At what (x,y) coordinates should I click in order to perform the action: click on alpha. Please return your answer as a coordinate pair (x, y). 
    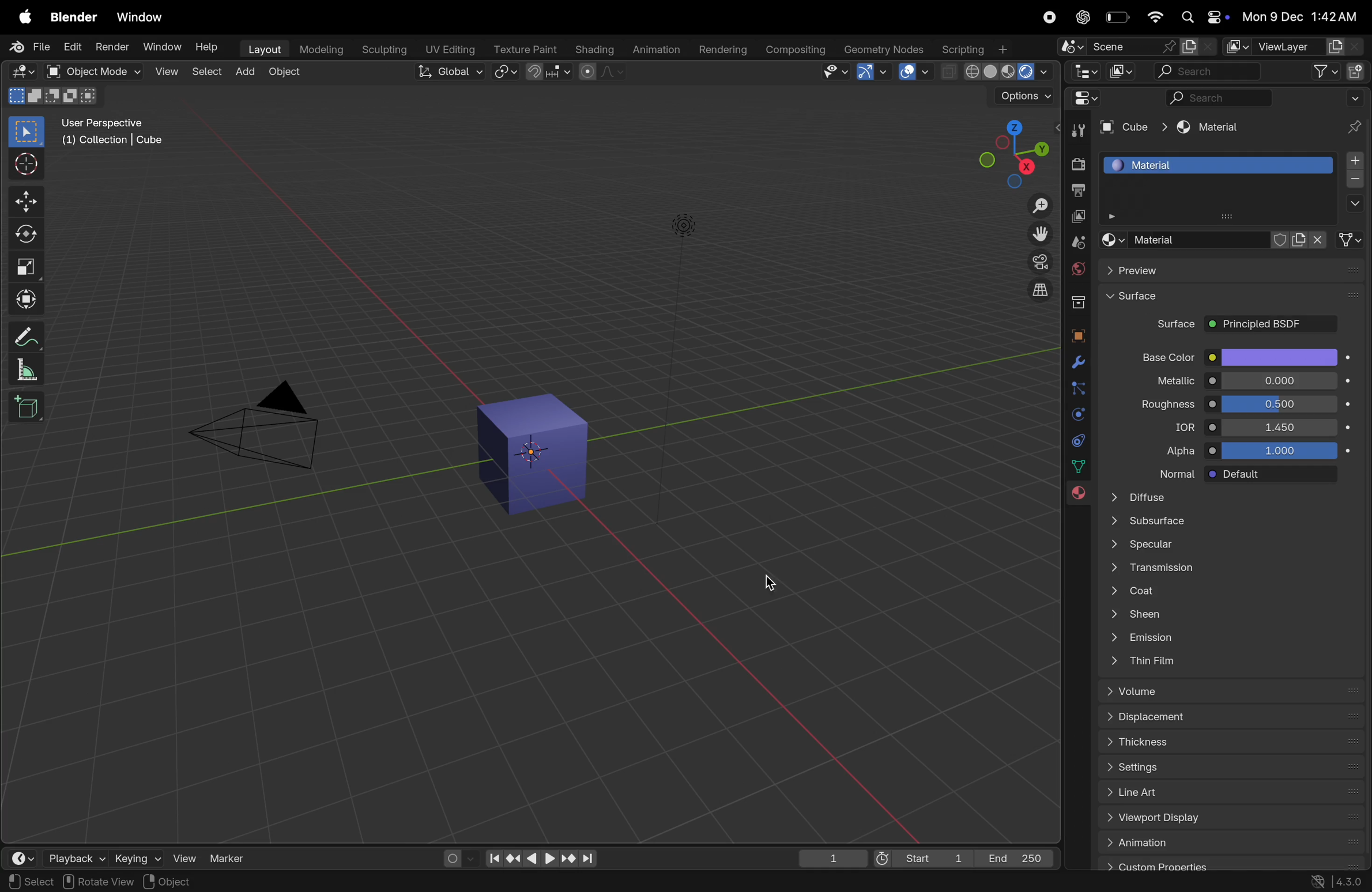
    Looking at the image, I should click on (1168, 451).